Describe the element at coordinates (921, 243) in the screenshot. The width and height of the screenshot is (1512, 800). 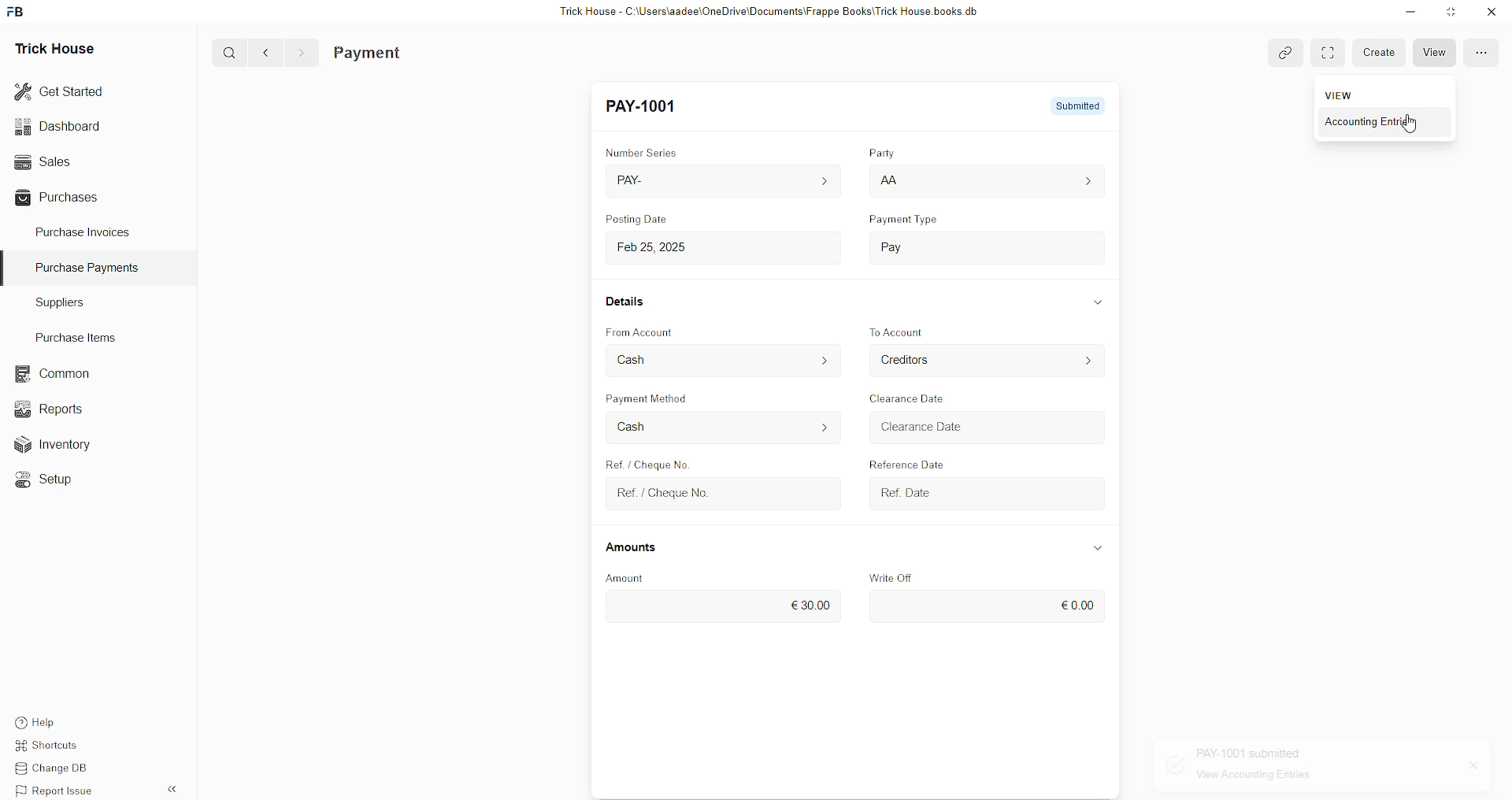
I see `Pay` at that location.